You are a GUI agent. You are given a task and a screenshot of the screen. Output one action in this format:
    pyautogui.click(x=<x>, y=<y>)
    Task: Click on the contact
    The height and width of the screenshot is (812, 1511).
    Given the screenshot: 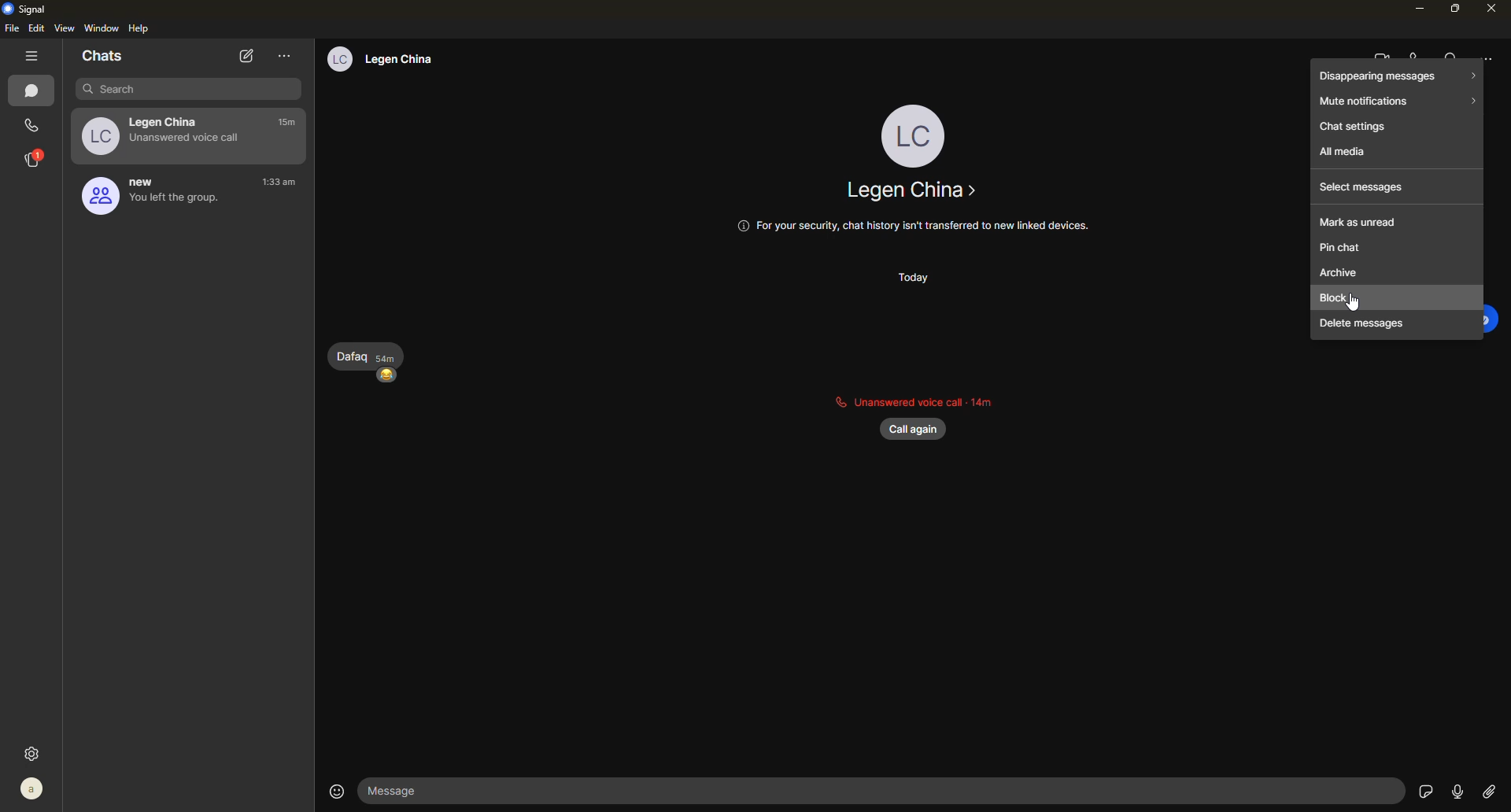 What is the action you would take?
    pyautogui.click(x=912, y=194)
    